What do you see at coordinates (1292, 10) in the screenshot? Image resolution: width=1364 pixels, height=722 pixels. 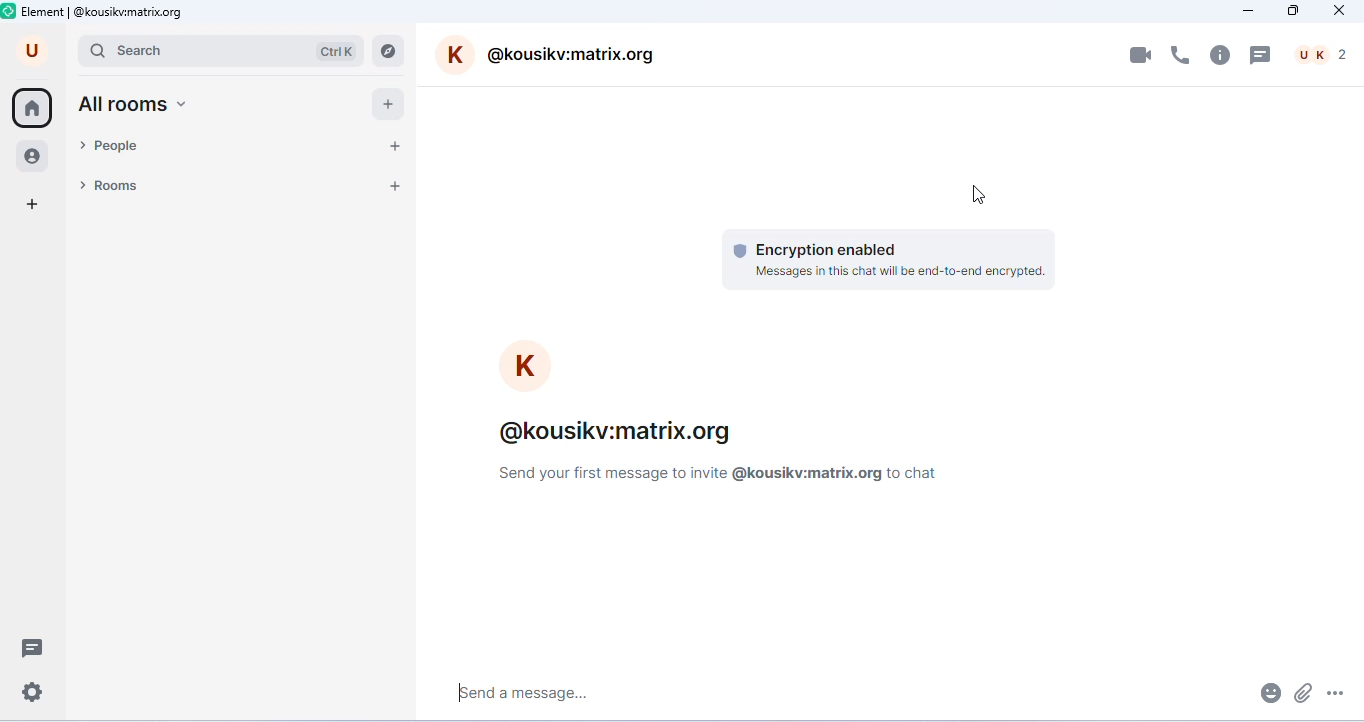 I see `maximize` at bounding box center [1292, 10].